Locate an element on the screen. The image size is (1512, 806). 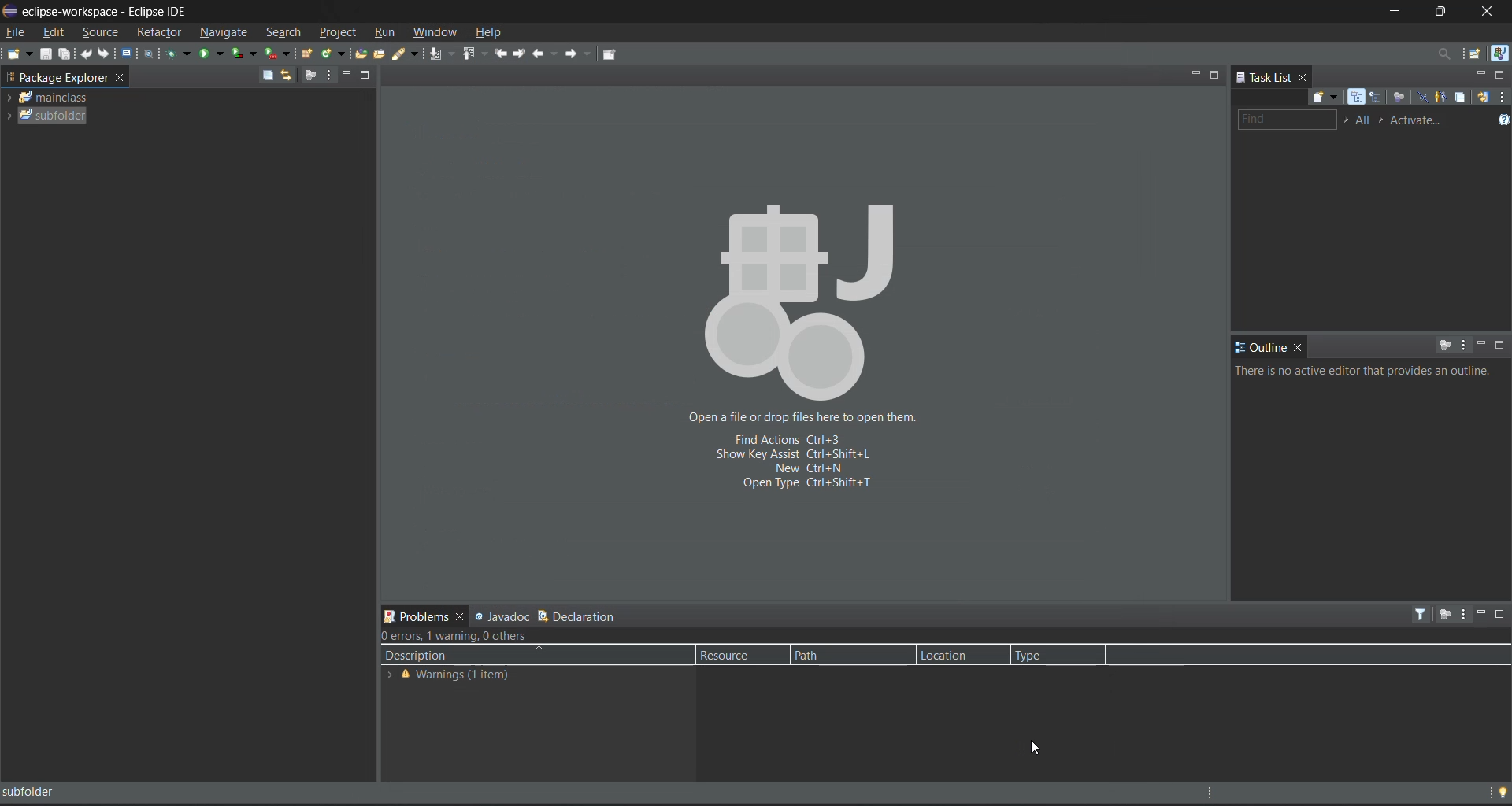
run is located at coordinates (385, 35).